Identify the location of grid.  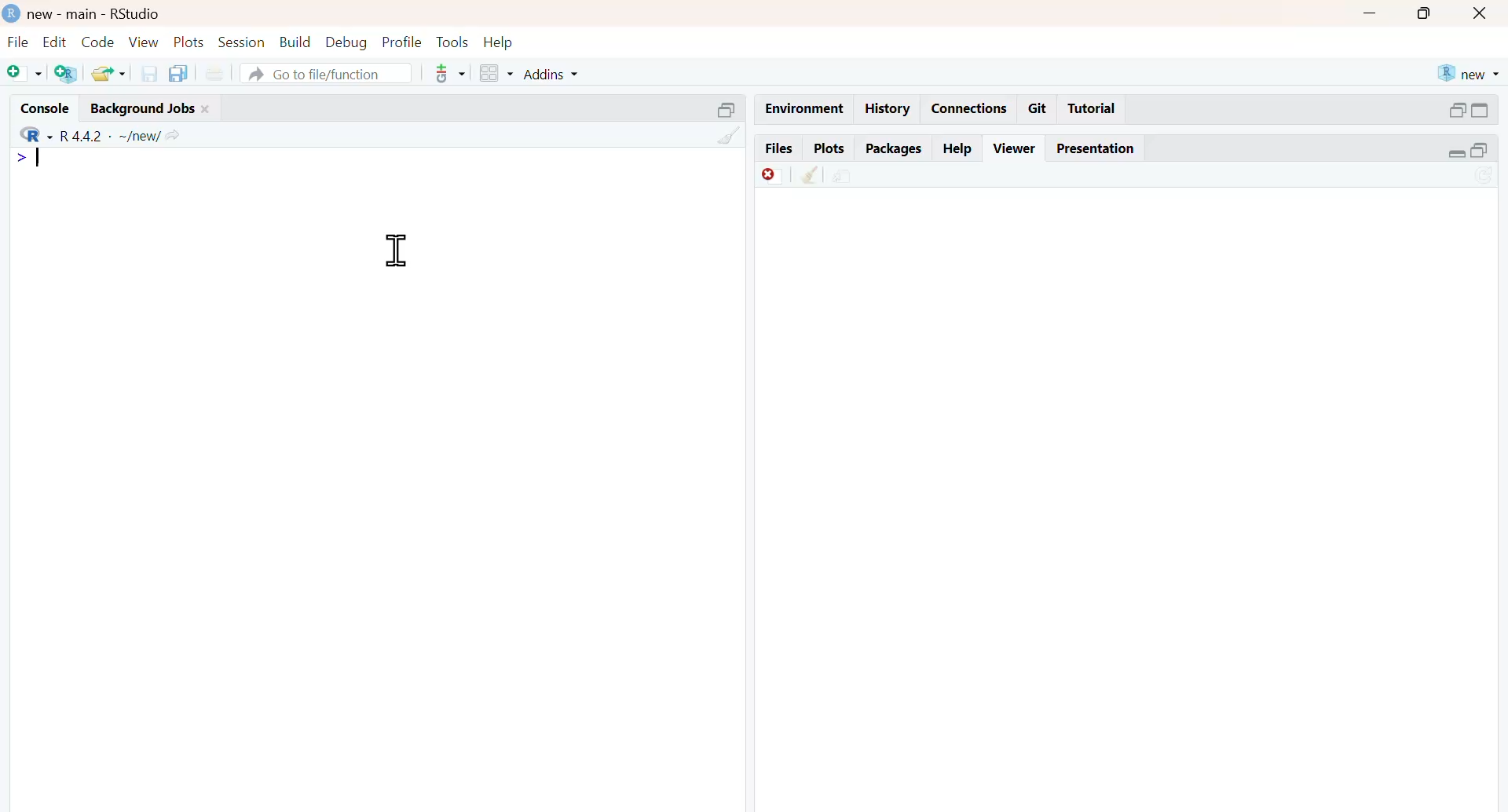
(497, 74).